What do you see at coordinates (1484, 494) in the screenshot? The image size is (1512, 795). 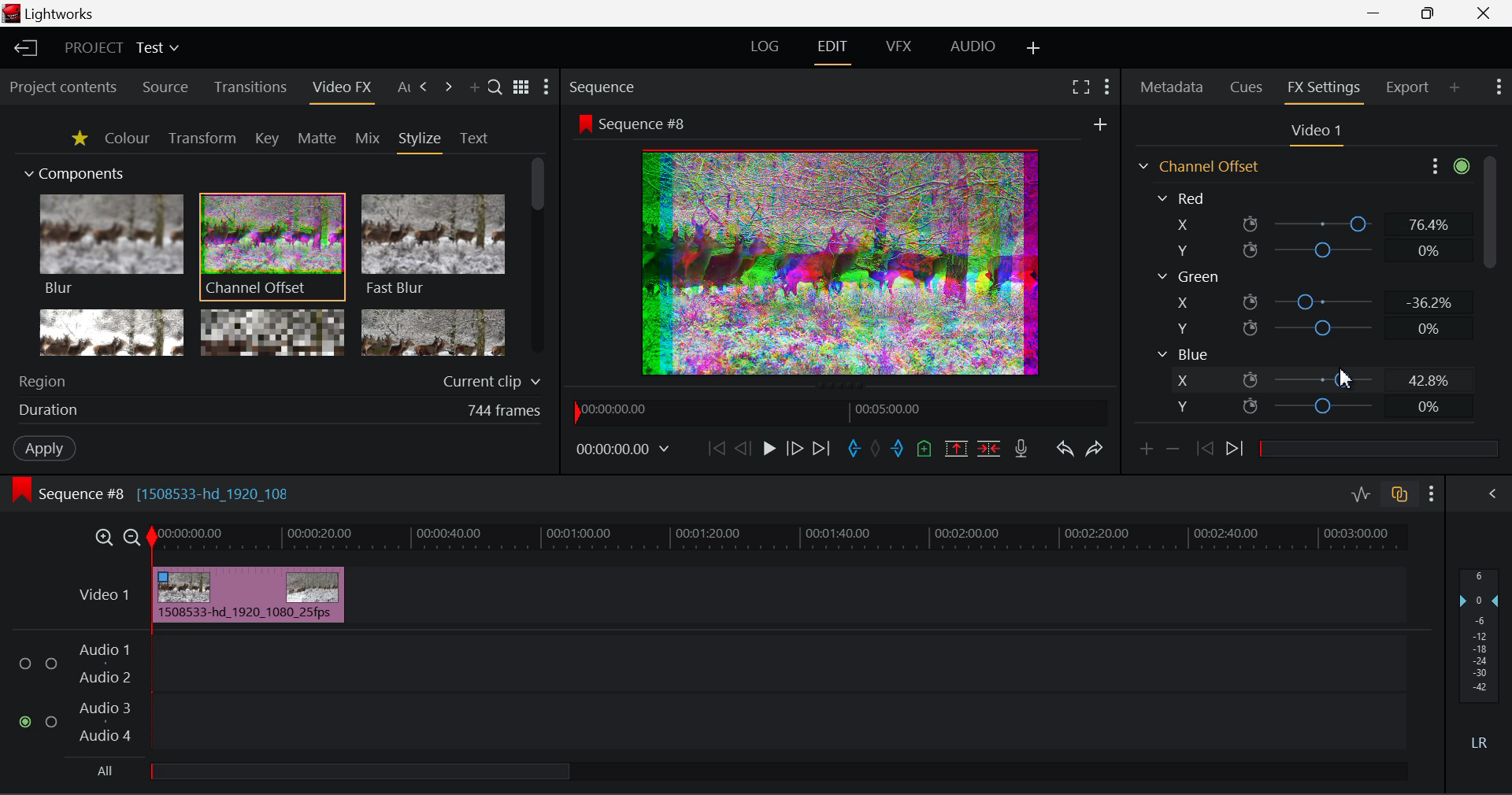 I see `Show Audio Mix` at bounding box center [1484, 494].